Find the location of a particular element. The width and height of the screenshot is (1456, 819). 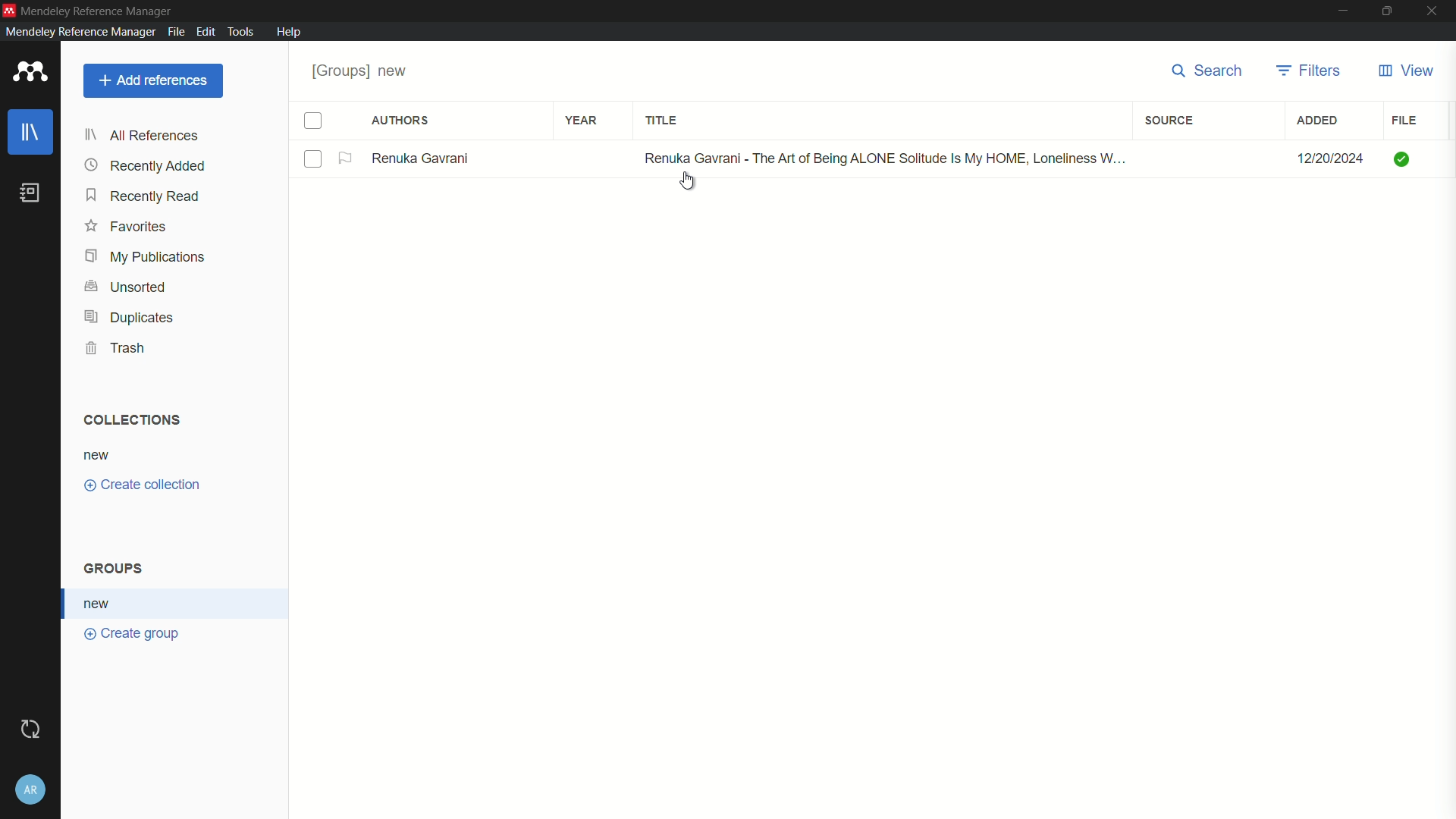

edit menu is located at coordinates (206, 32).